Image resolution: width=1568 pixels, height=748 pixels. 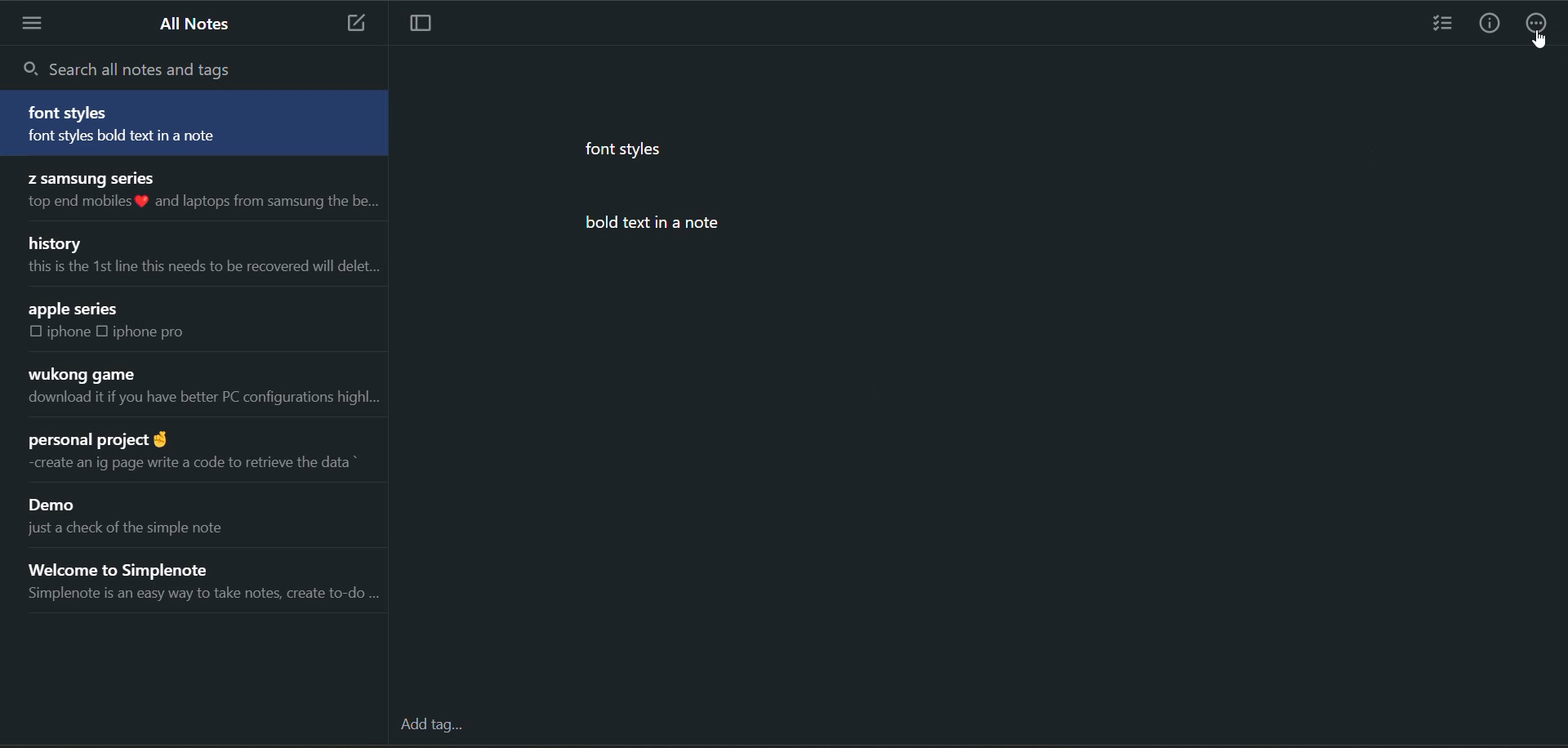 What do you see at coordinates (1539, 41) in the screenshot?
I see `cursor` at bounding box center [1539, 41].